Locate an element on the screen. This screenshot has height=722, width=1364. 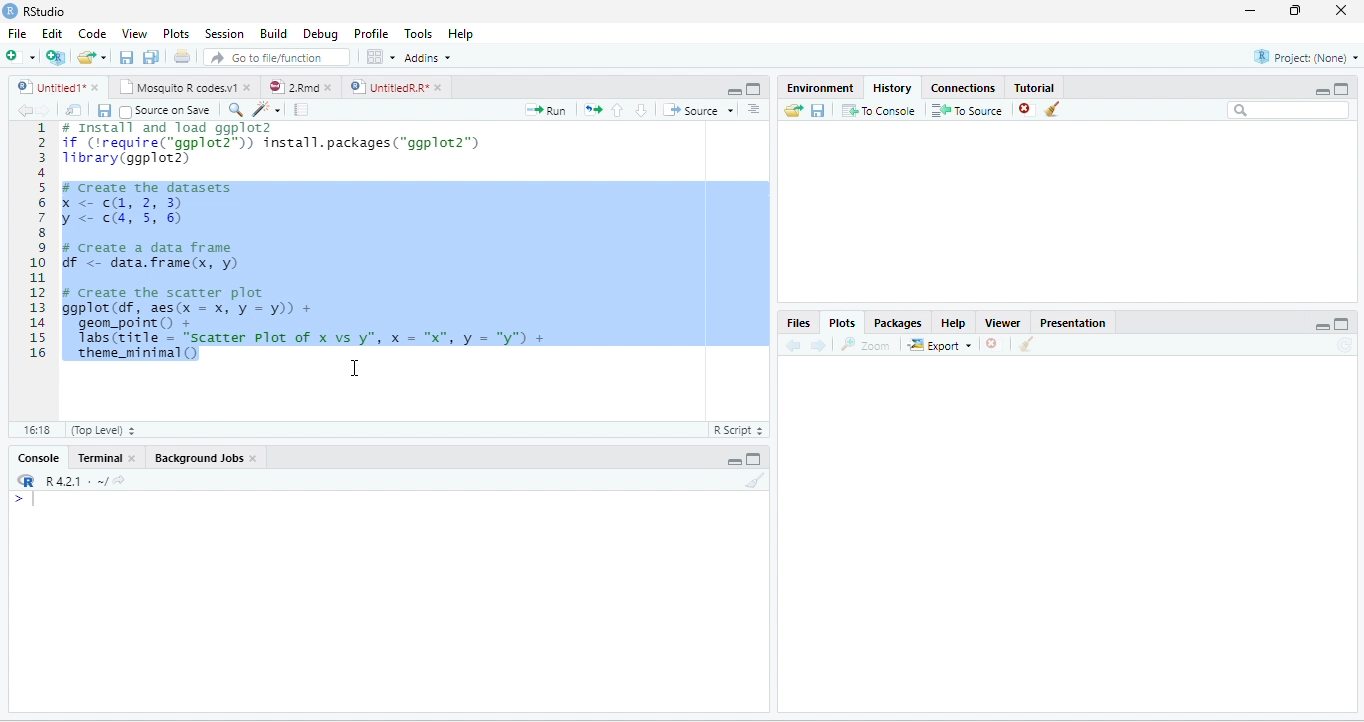
close is located at coordinates (328, 87).